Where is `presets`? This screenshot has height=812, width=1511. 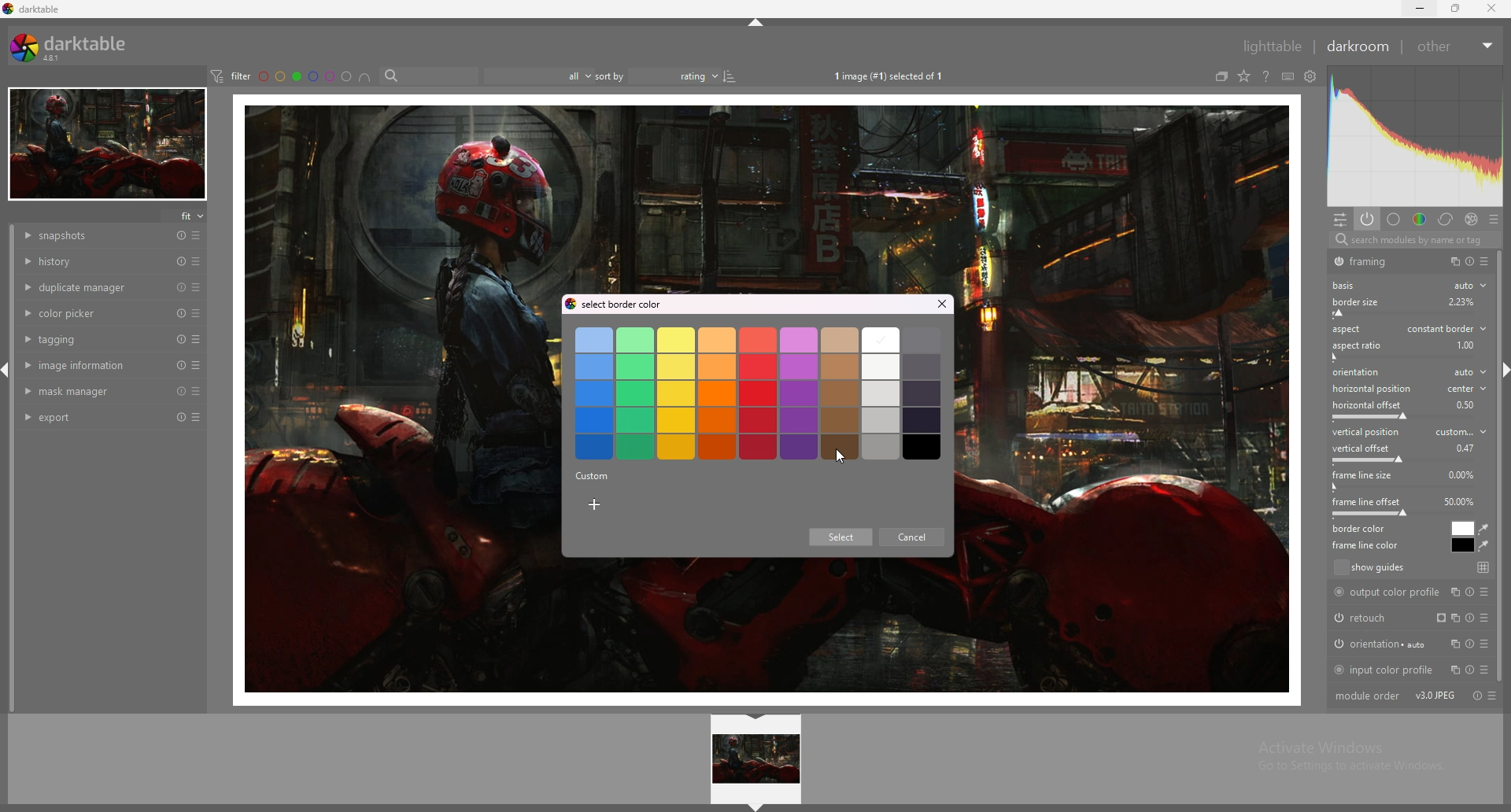
presets is located at coordinates (1495, 696).